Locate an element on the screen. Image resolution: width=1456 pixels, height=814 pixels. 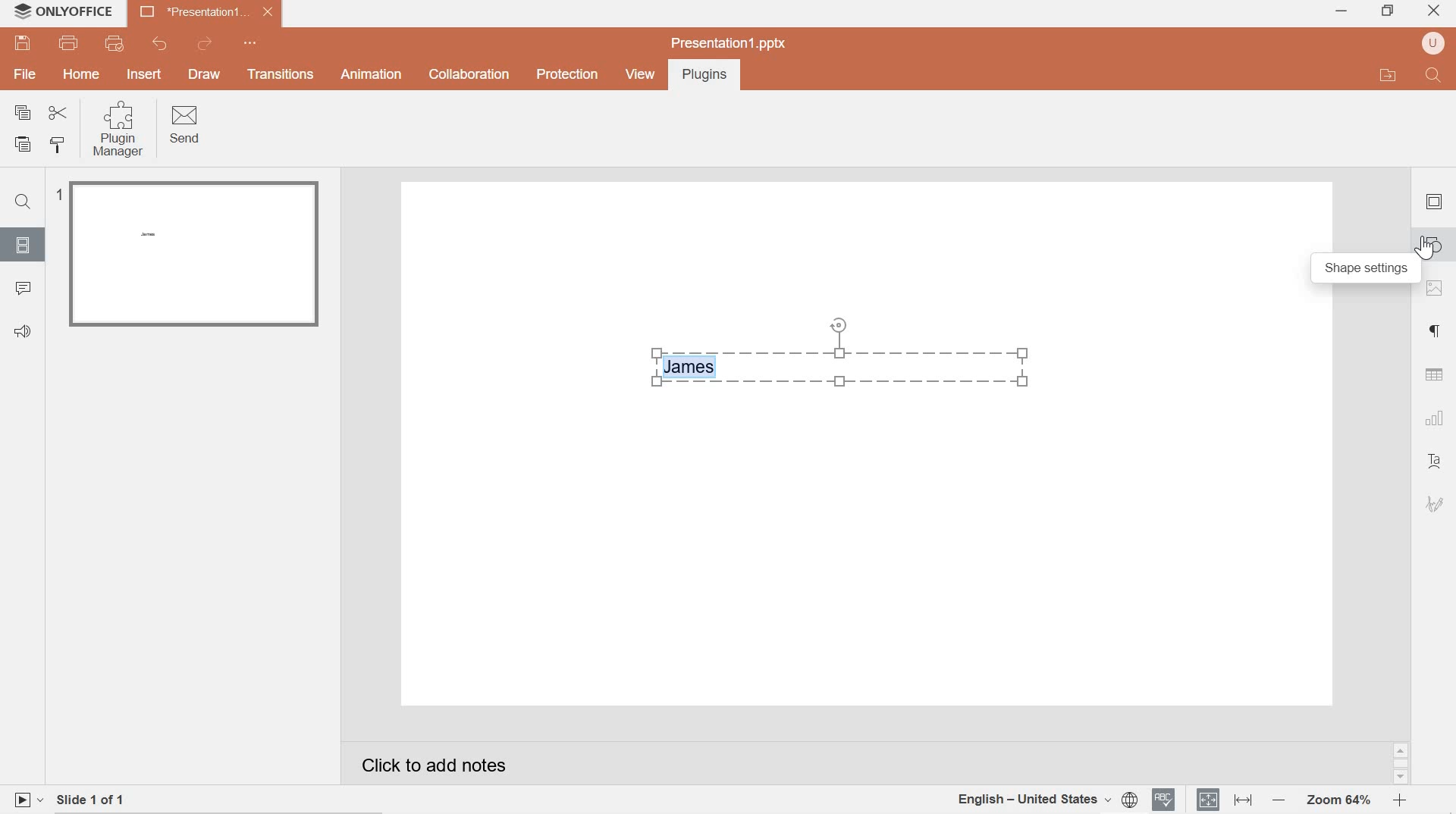
cut is located at coordinates (58, 112).